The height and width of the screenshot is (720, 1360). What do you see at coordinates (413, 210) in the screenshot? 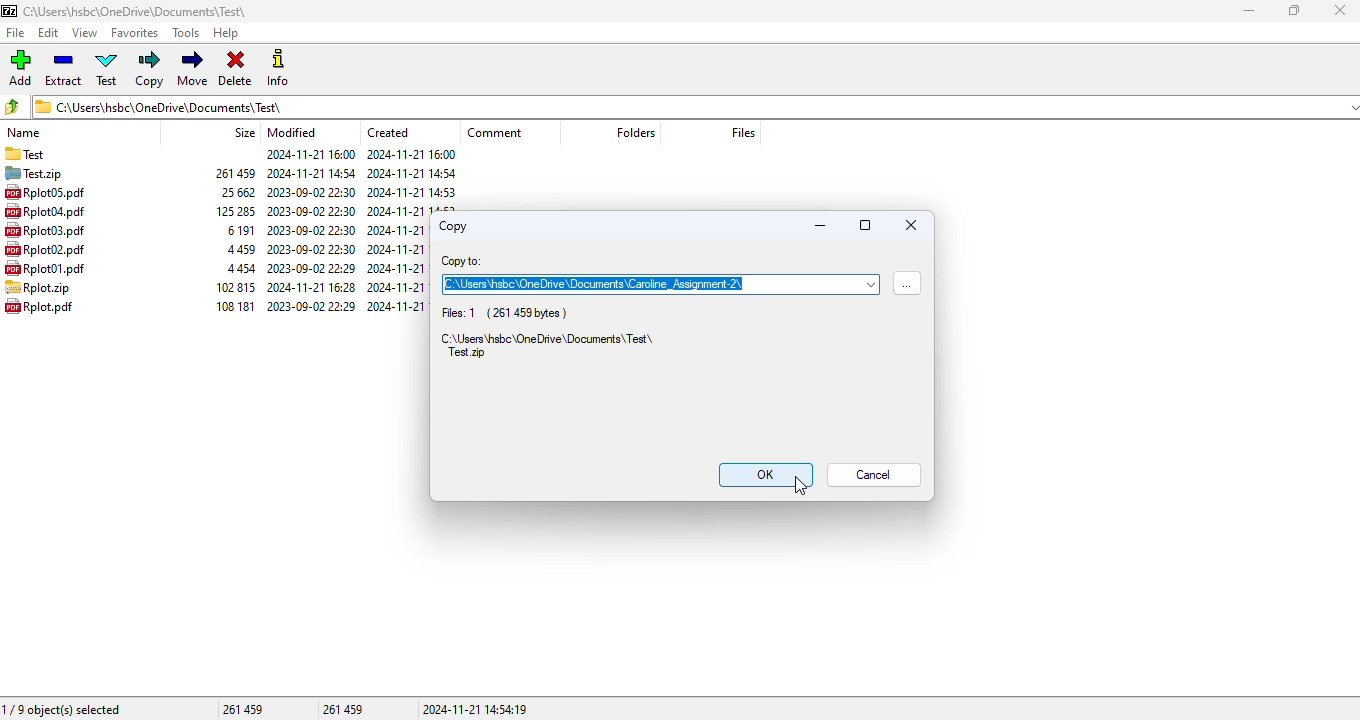
I see `created date & time` at bounding box center [413, 210].